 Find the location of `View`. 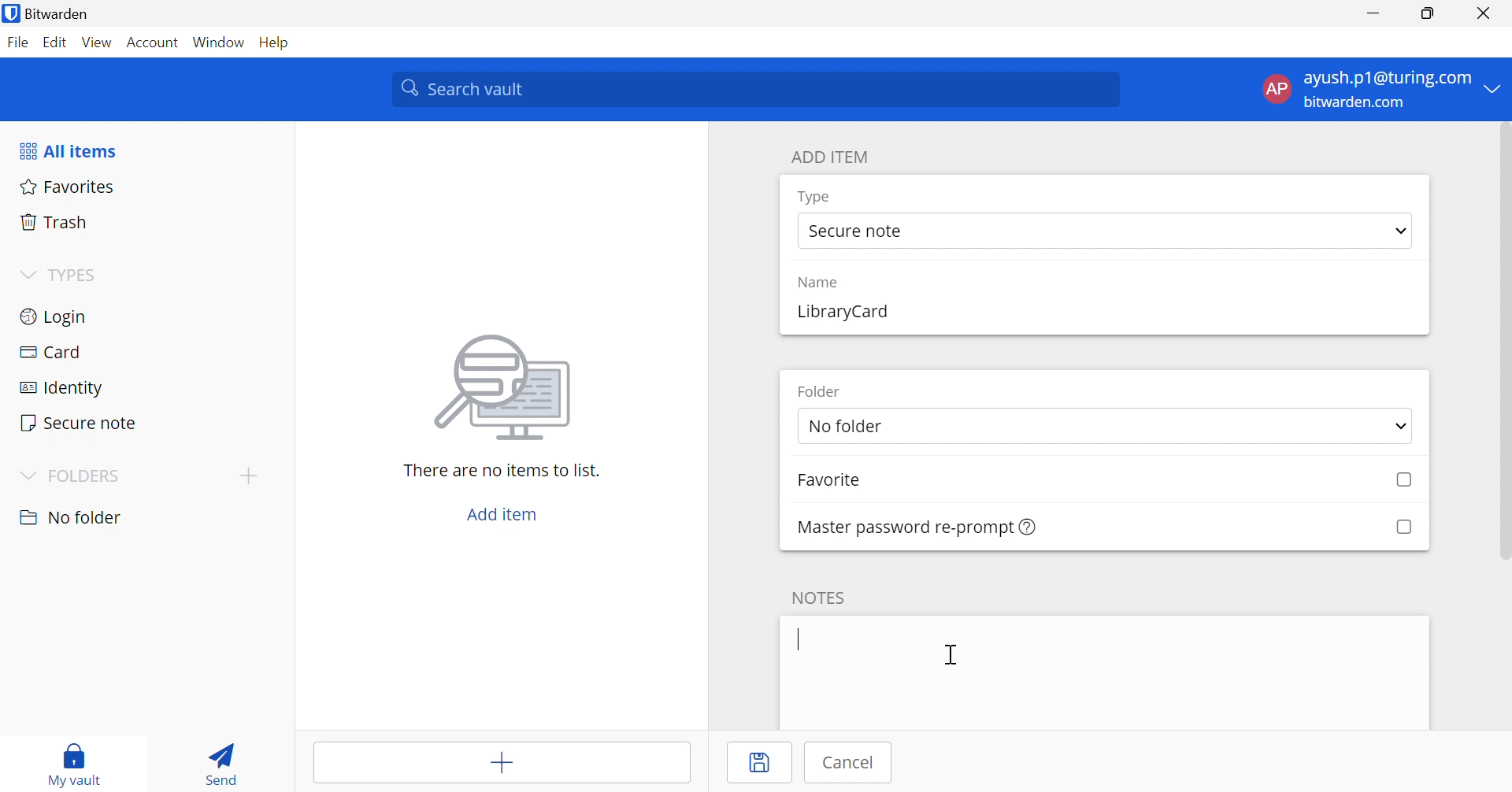

View is located at coordinates (98, 44).